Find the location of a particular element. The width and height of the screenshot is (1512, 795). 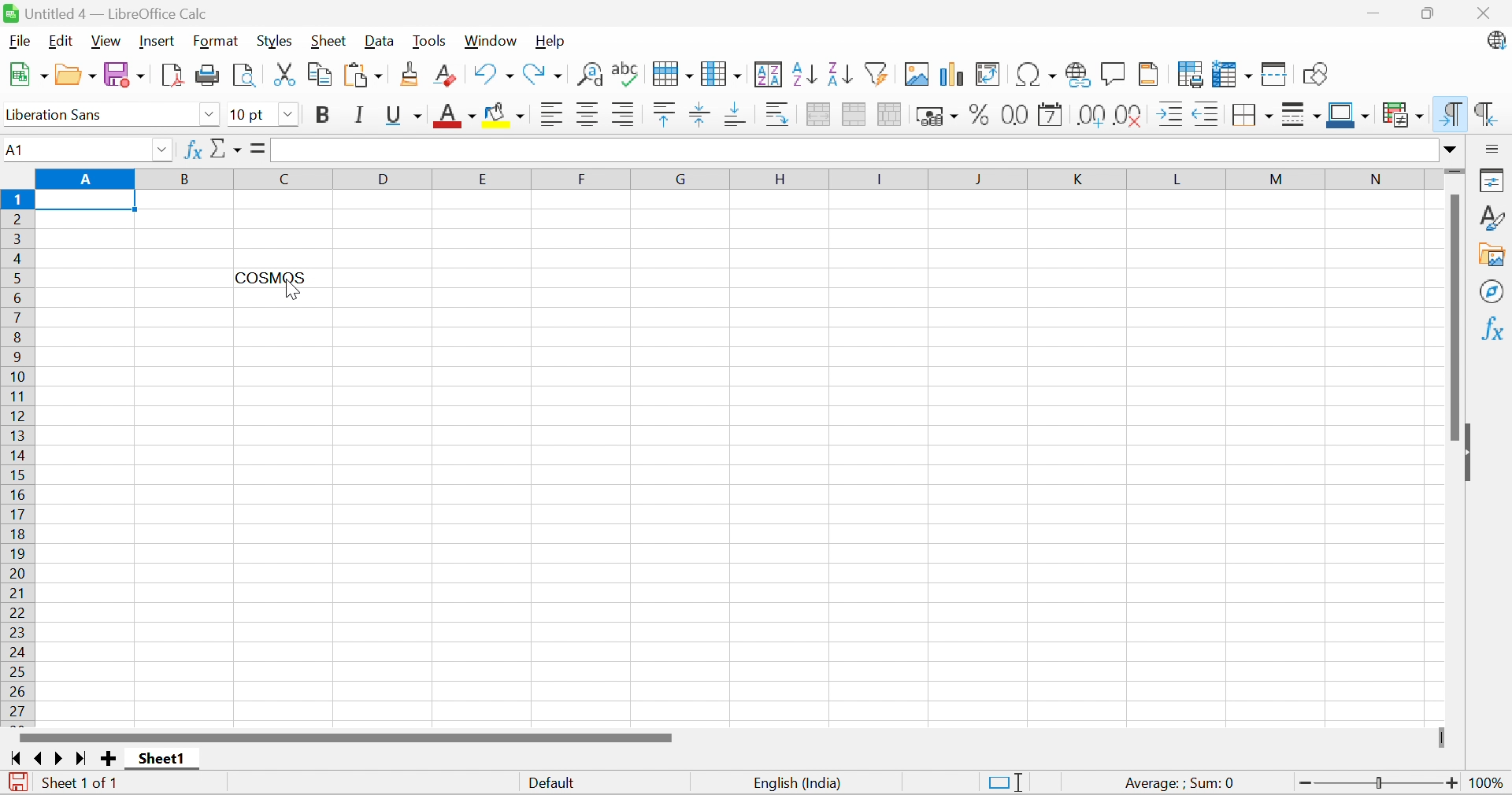

Help is located at coordinates (554, 42).